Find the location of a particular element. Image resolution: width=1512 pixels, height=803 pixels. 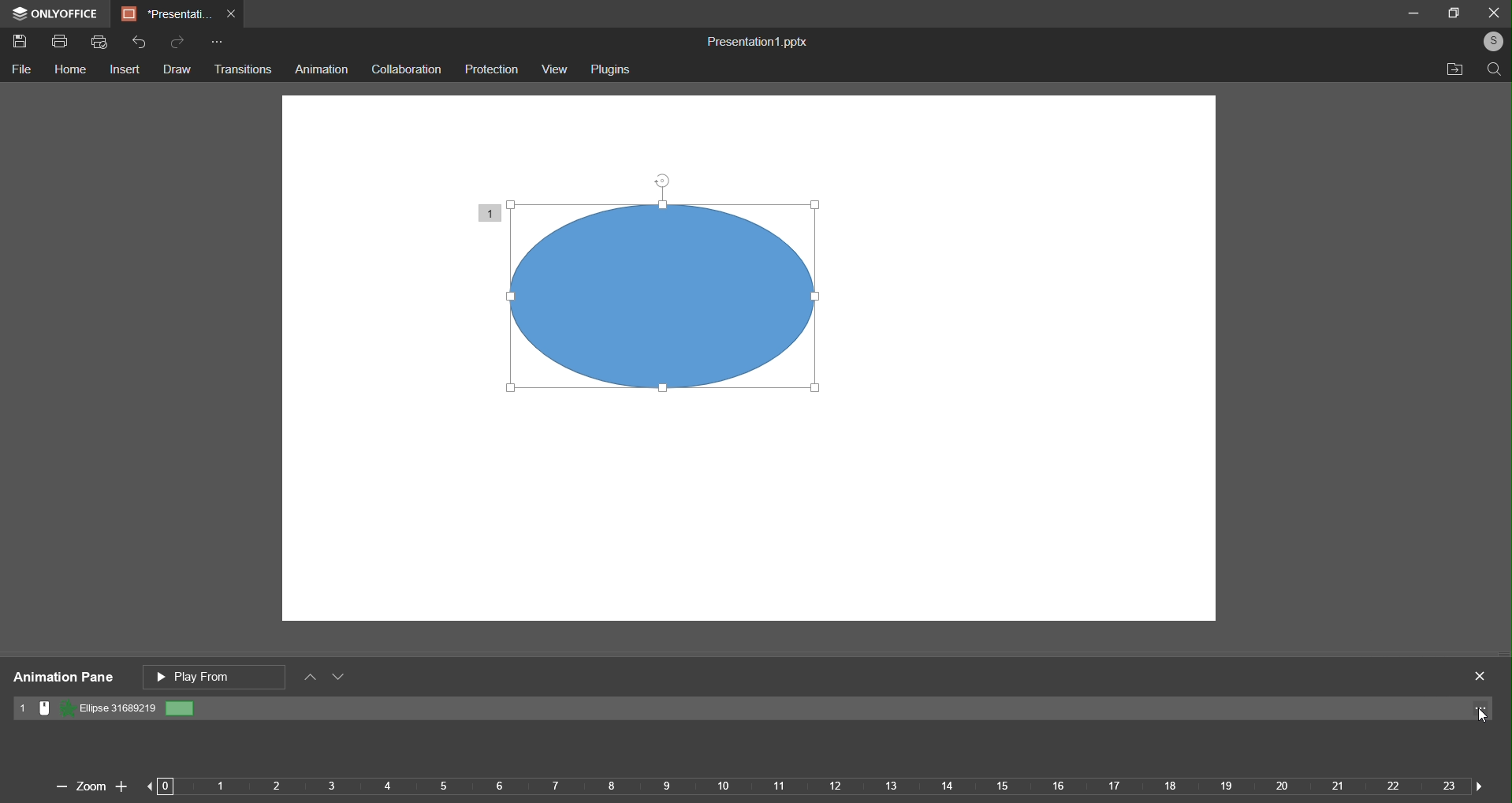

cursor is located at coordinates (1477, 718).